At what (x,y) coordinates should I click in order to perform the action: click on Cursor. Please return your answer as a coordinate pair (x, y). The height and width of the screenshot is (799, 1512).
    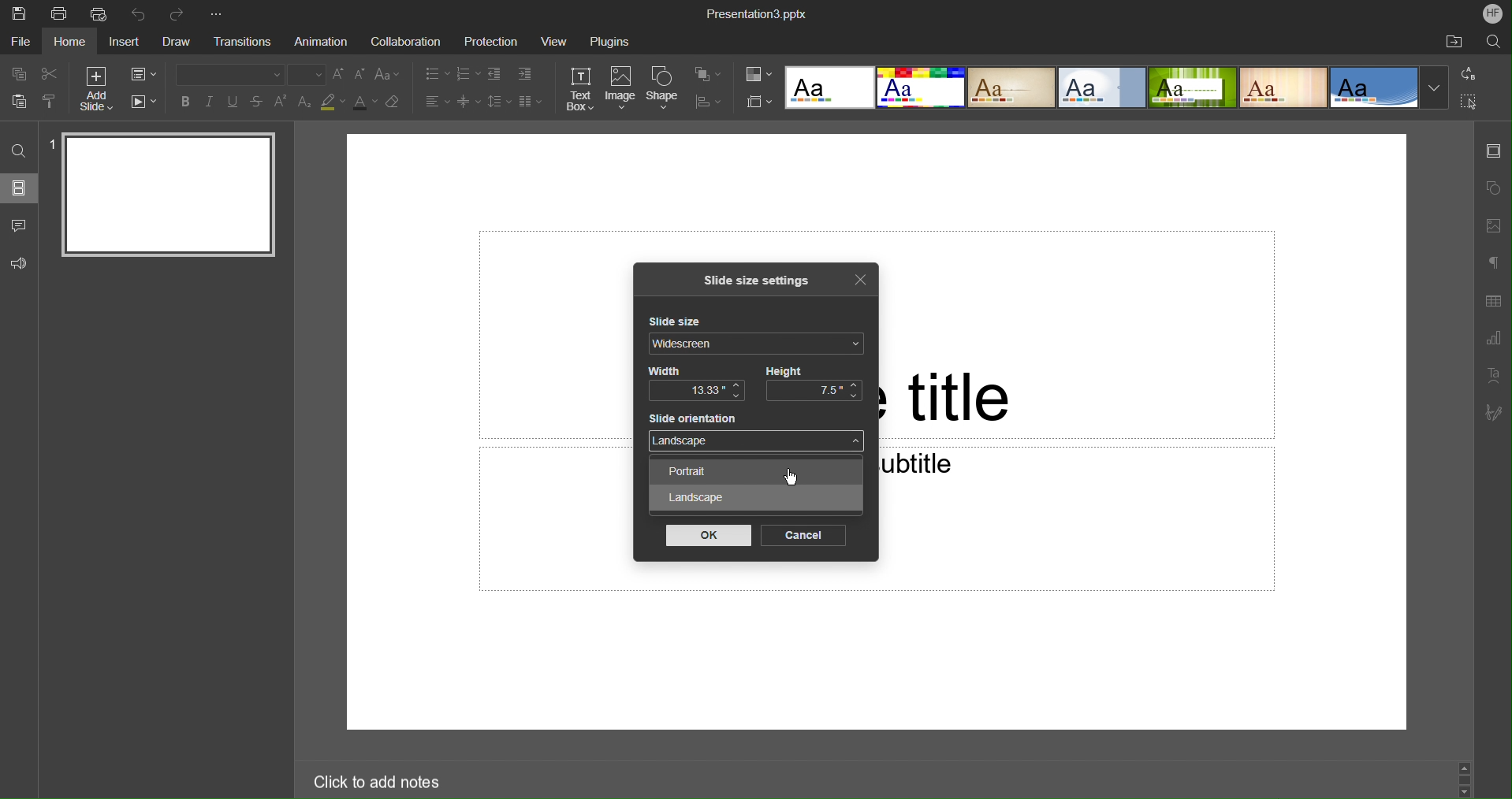
    Looking at the image, I should click on (795, 476).